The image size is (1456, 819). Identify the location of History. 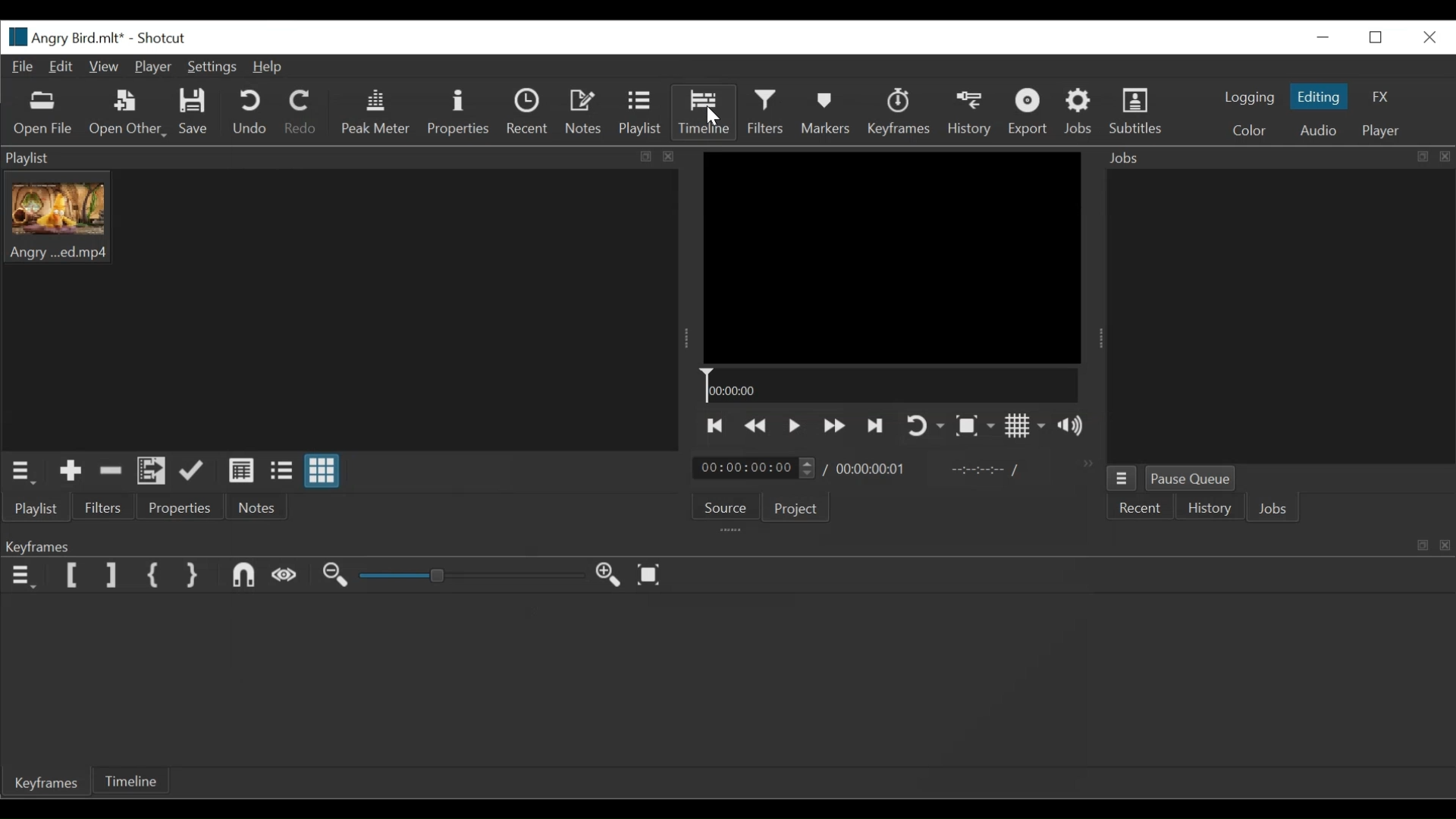
(971, 115).